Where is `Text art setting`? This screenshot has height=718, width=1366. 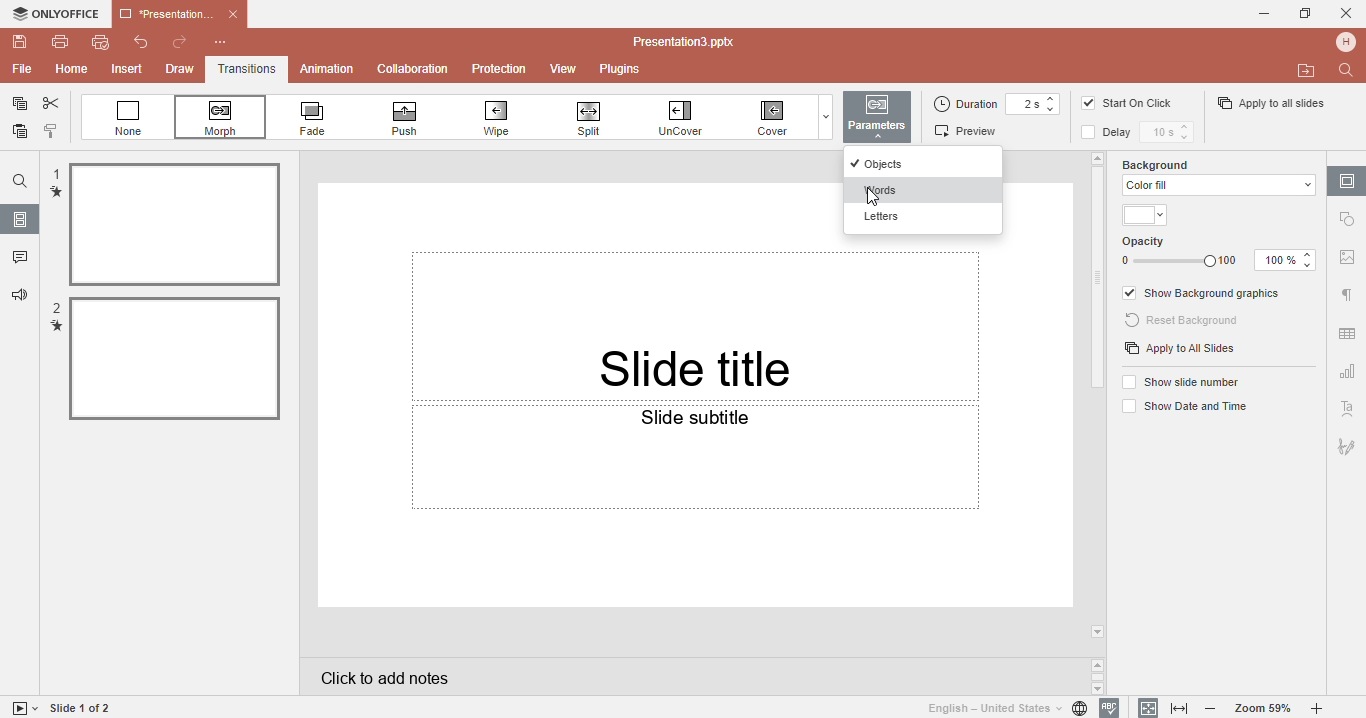 Text art setting is located at coordinates (1347, 408).